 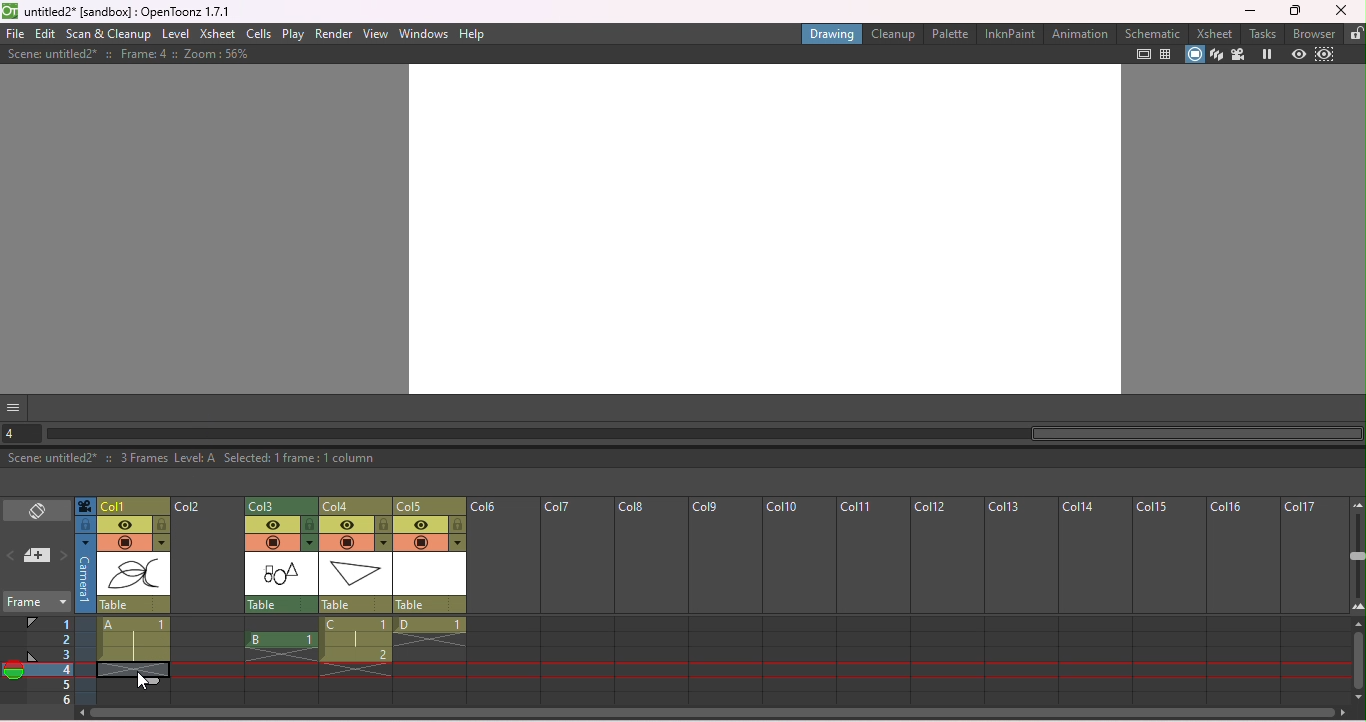 What do you see at coordinates (354, 661) in the screenshot?
I see `cells` at bounding box center [354, 661].